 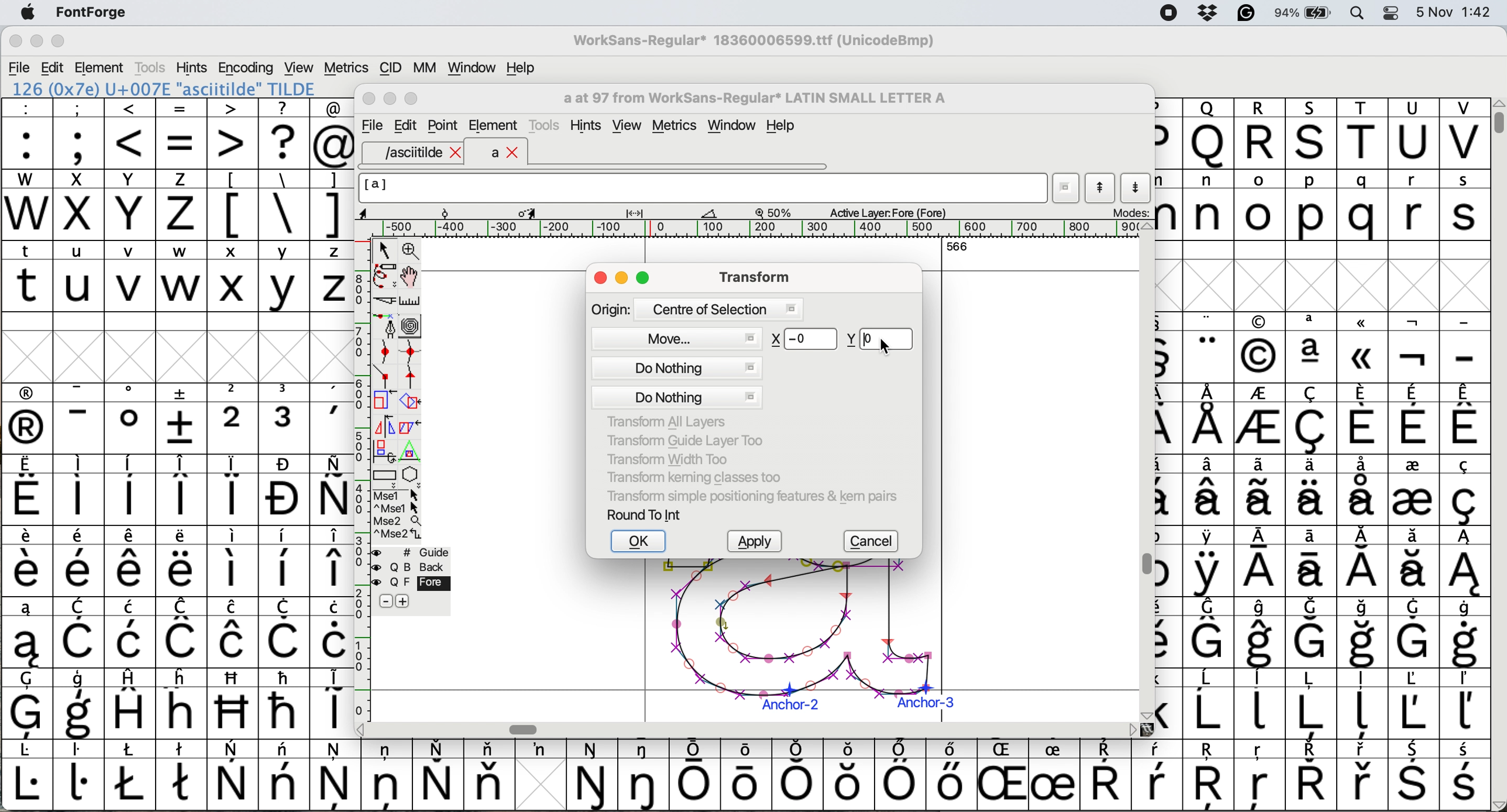 What do you see at coordinates (284, 562) in the screenshot?
I see `symbol` at bounding box center [284, 562].